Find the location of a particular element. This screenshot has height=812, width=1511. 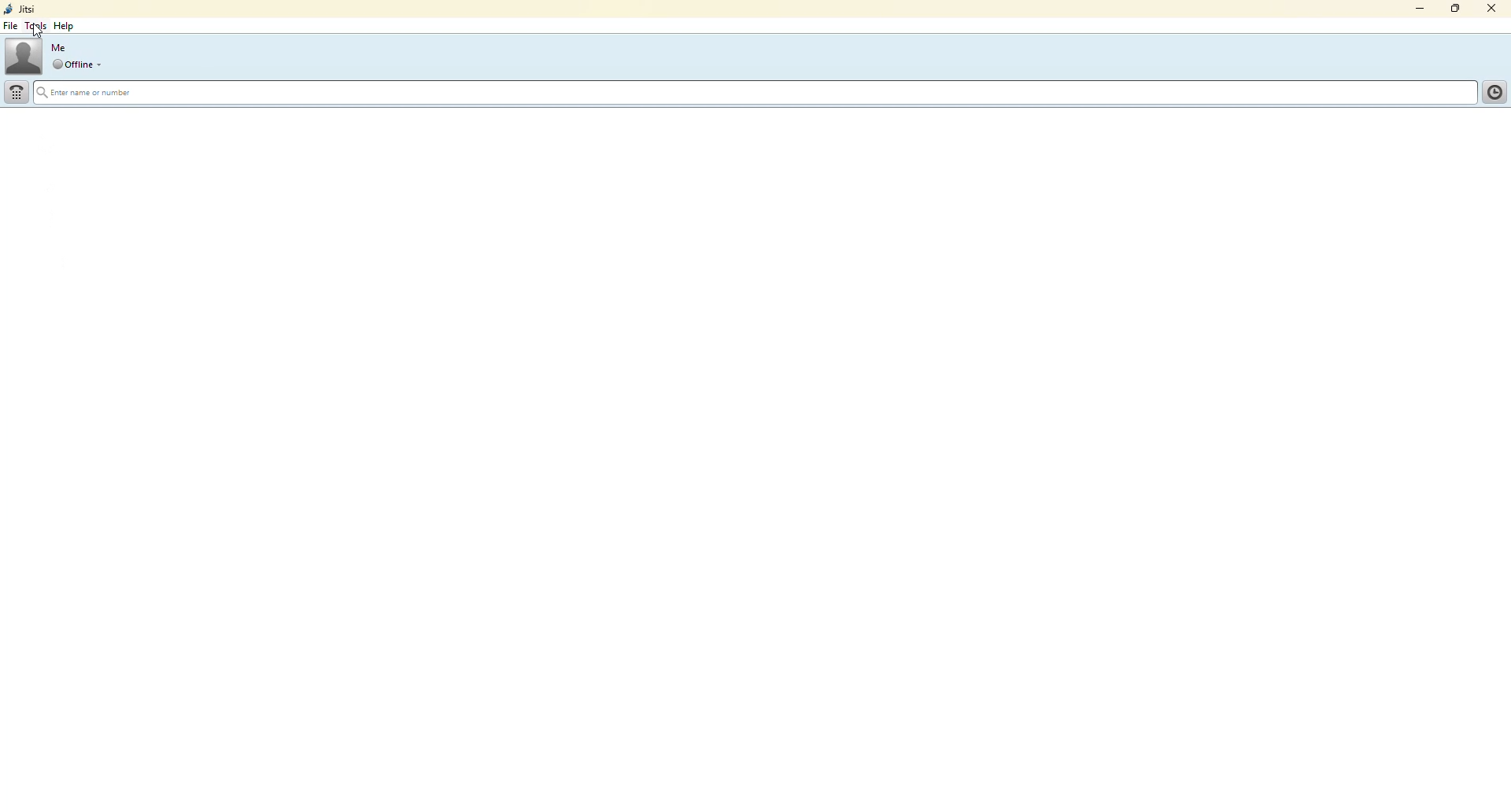

profile is located at coordinates (21, 57).